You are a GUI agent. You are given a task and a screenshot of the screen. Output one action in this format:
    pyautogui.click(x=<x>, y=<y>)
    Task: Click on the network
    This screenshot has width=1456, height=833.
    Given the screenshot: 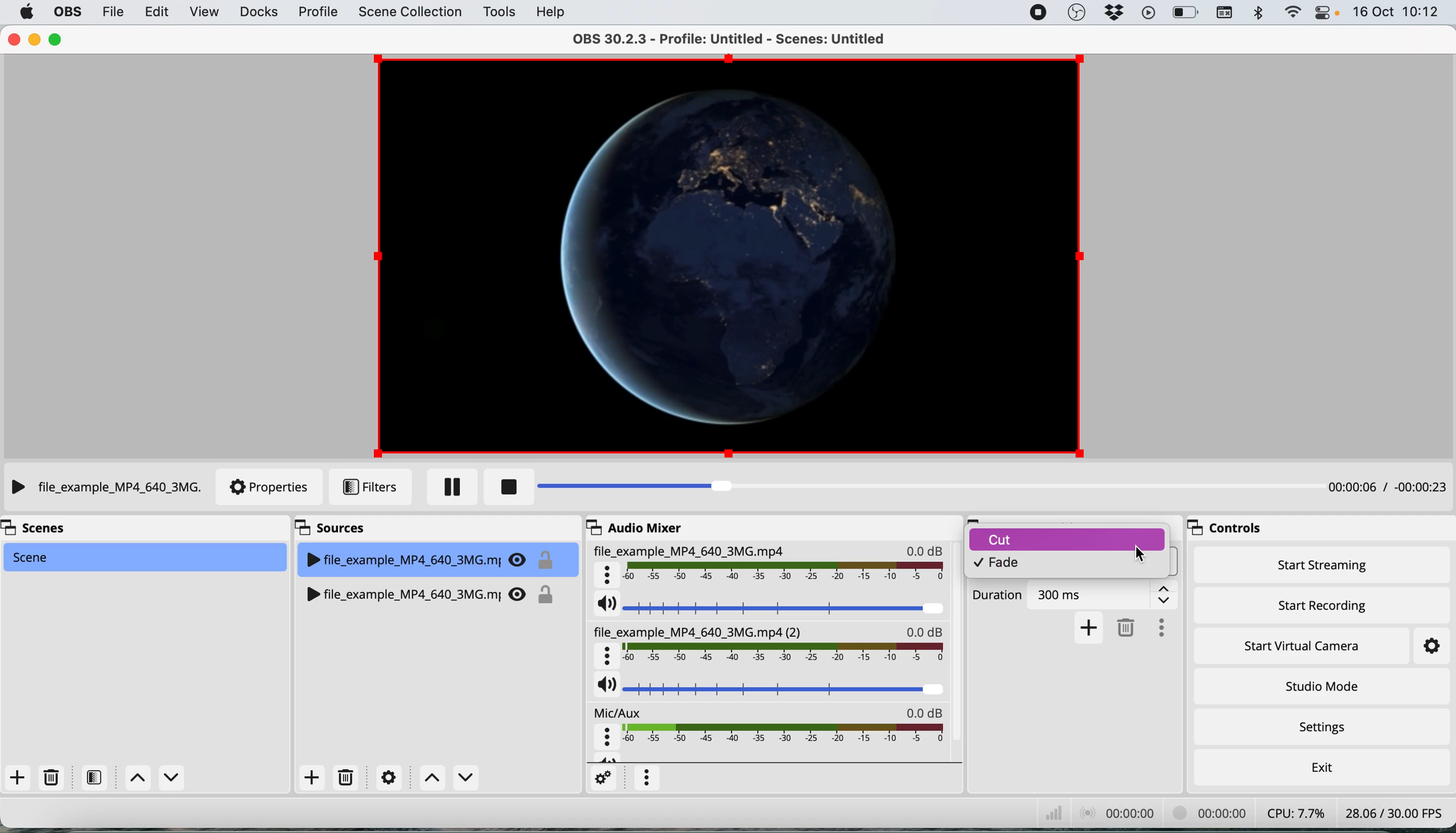 What is the action you would take?
    pyautogui.click(x=1051, y=814)
    